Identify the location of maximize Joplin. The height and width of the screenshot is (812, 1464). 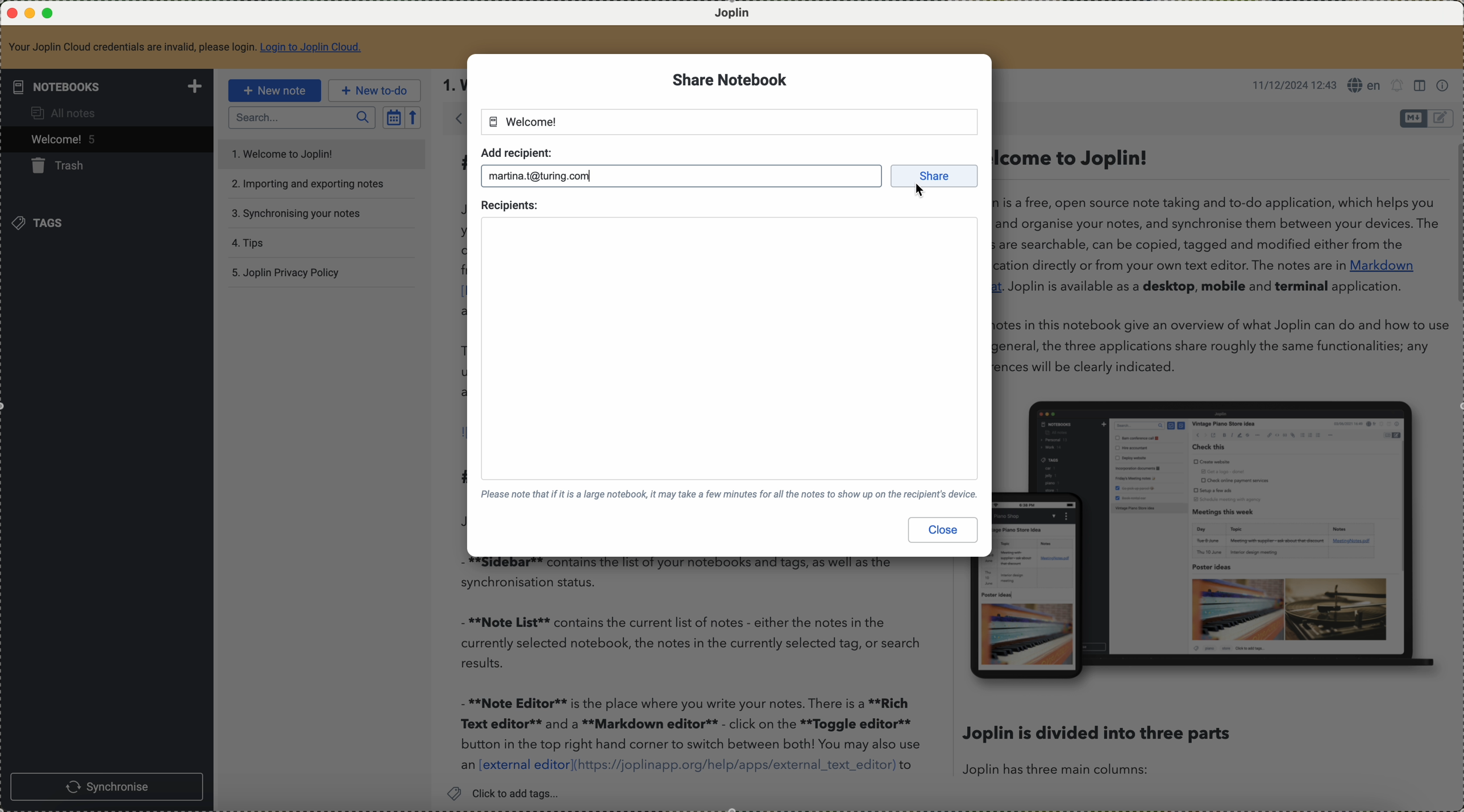
(50, 14).